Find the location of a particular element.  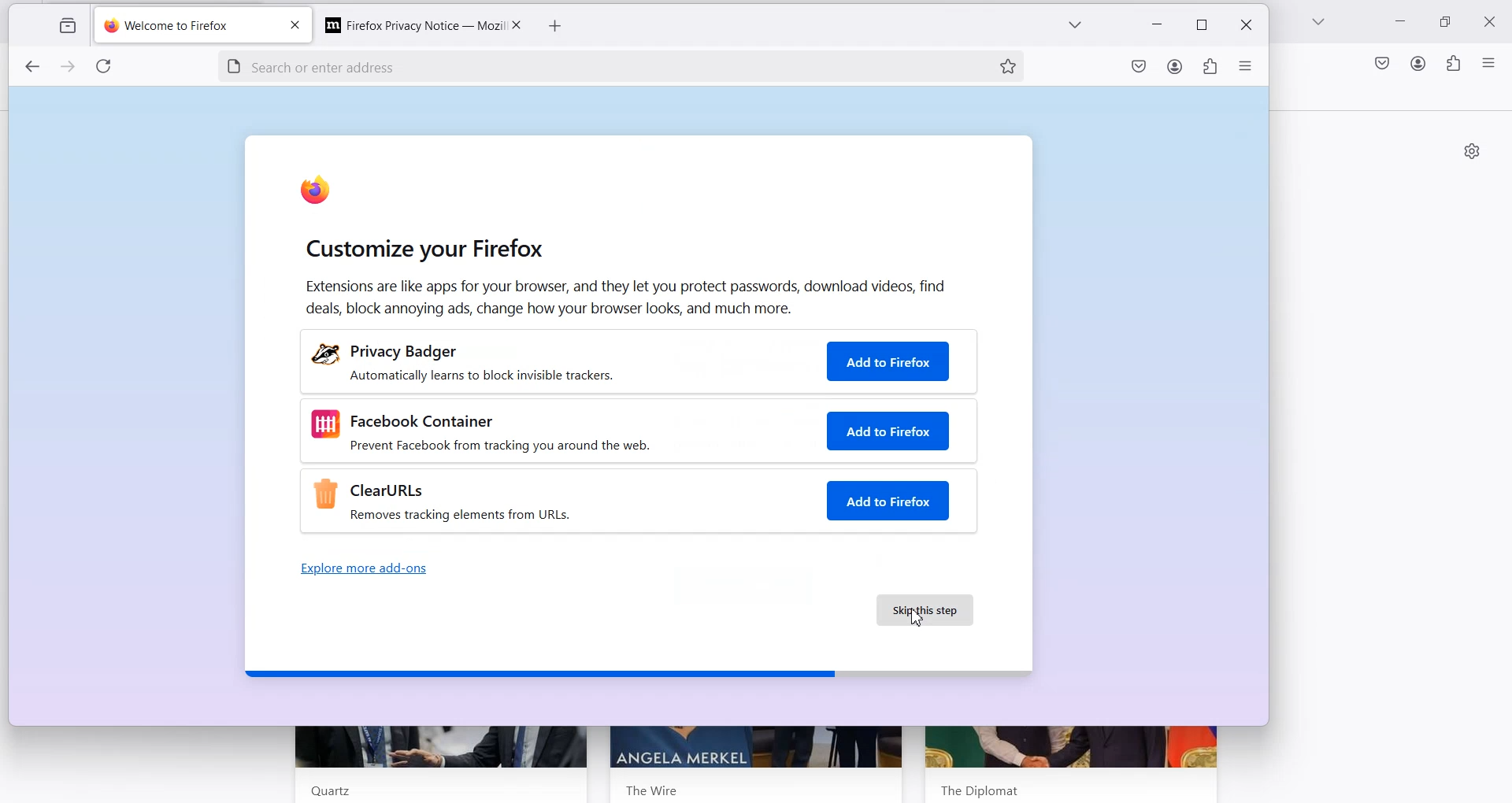

next page is located at coordinates (69, 68).